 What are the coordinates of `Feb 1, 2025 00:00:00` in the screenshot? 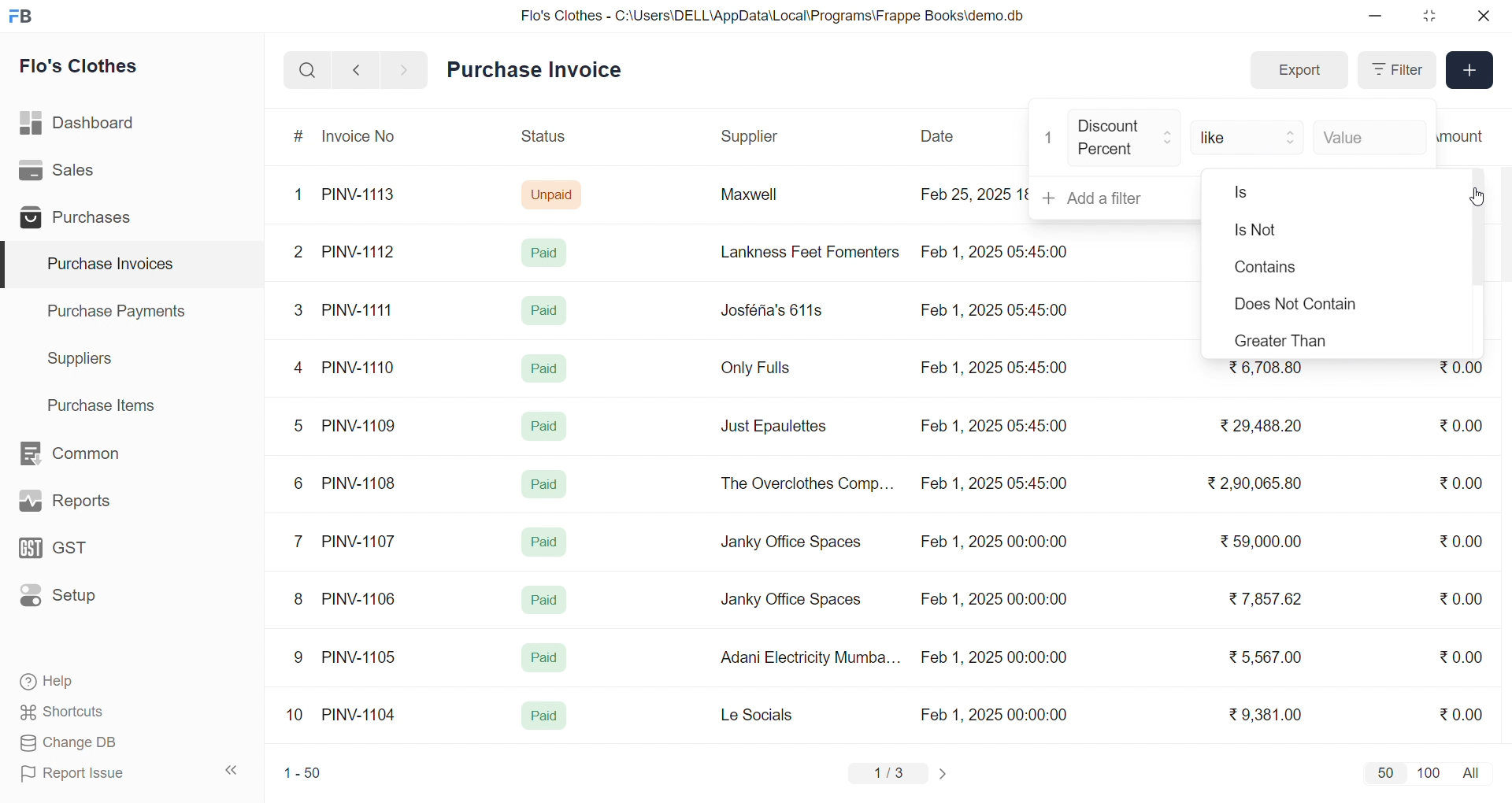 It's located at (993, 544).